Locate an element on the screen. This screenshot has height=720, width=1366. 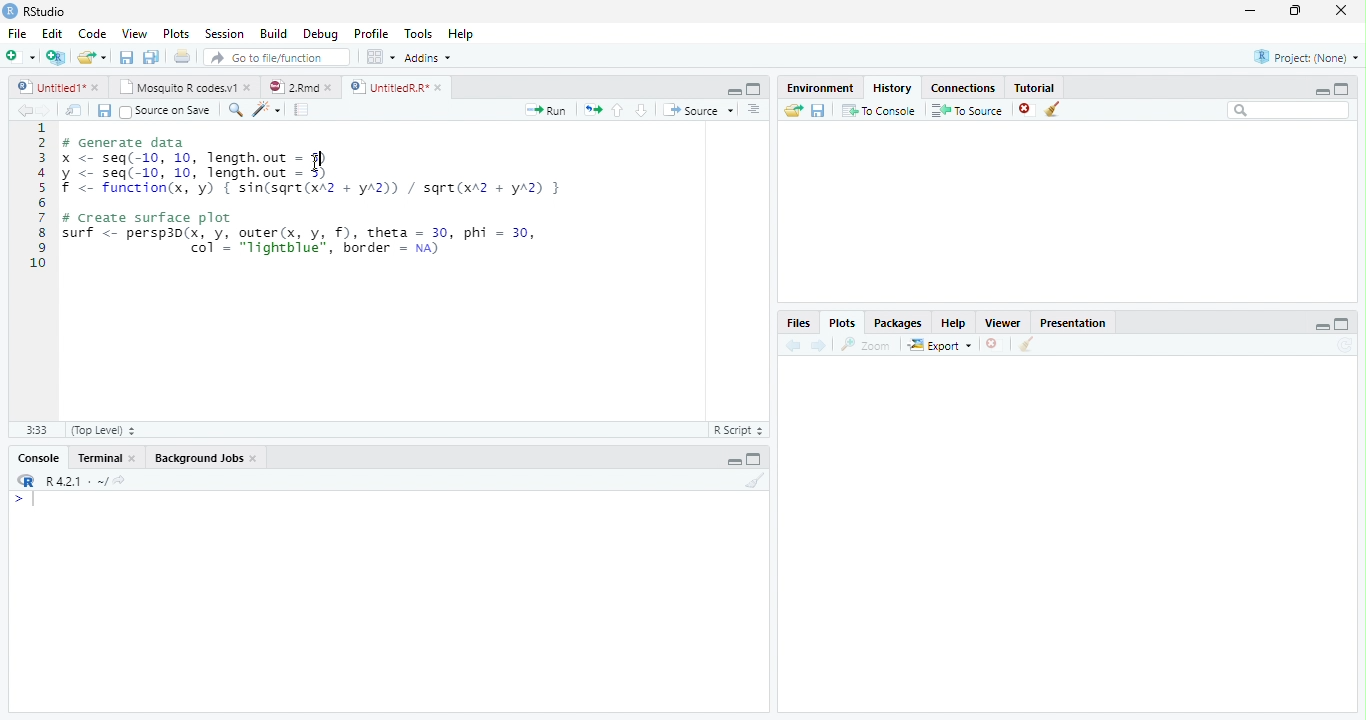
Next plot is located at coordinates (819, 345).